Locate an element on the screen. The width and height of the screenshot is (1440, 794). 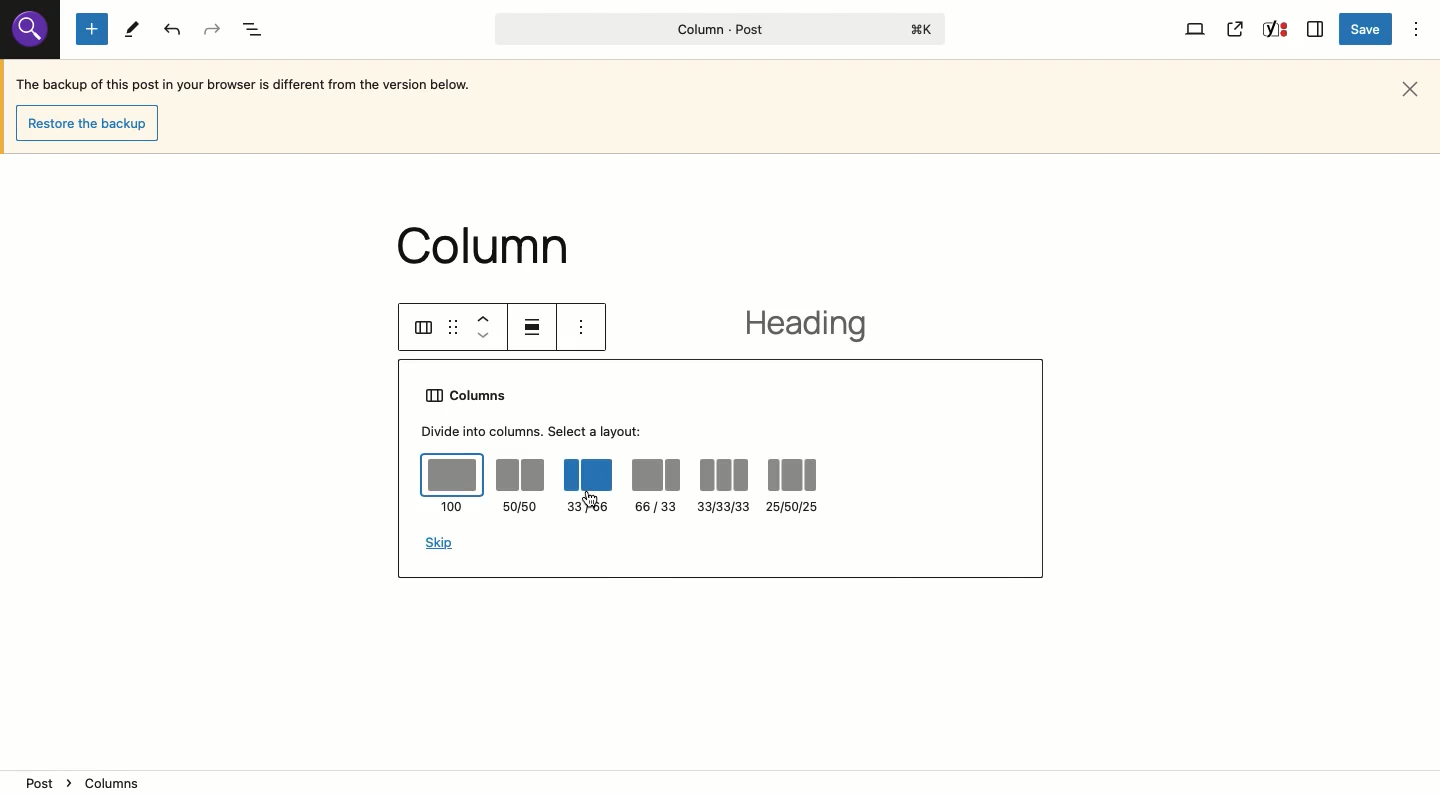
Document overview is located at coordinates (256, 31).